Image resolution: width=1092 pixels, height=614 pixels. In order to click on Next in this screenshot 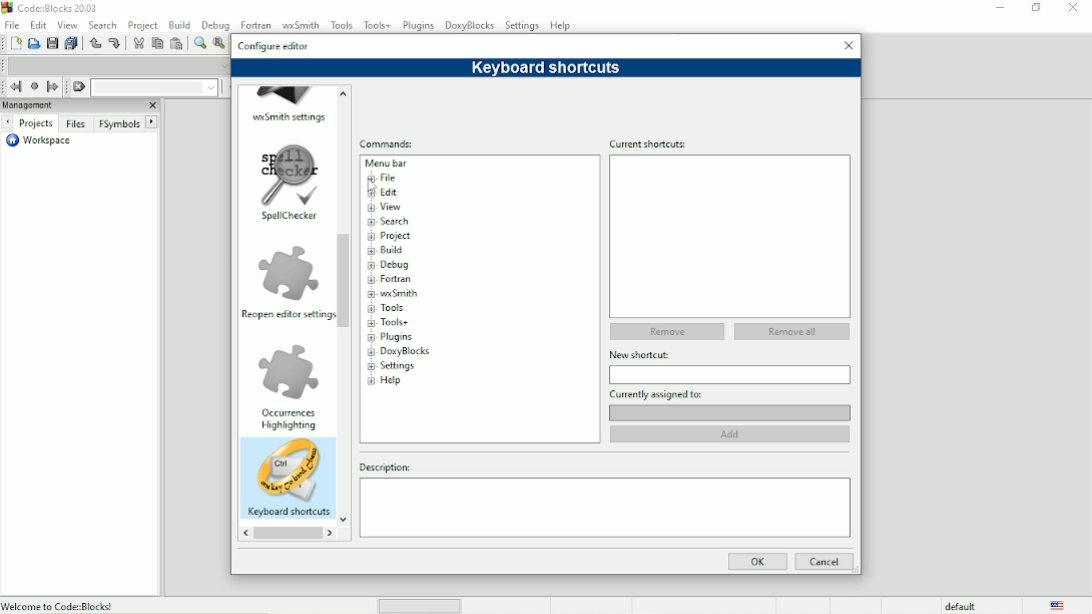, I will do `click(152, 121)`.